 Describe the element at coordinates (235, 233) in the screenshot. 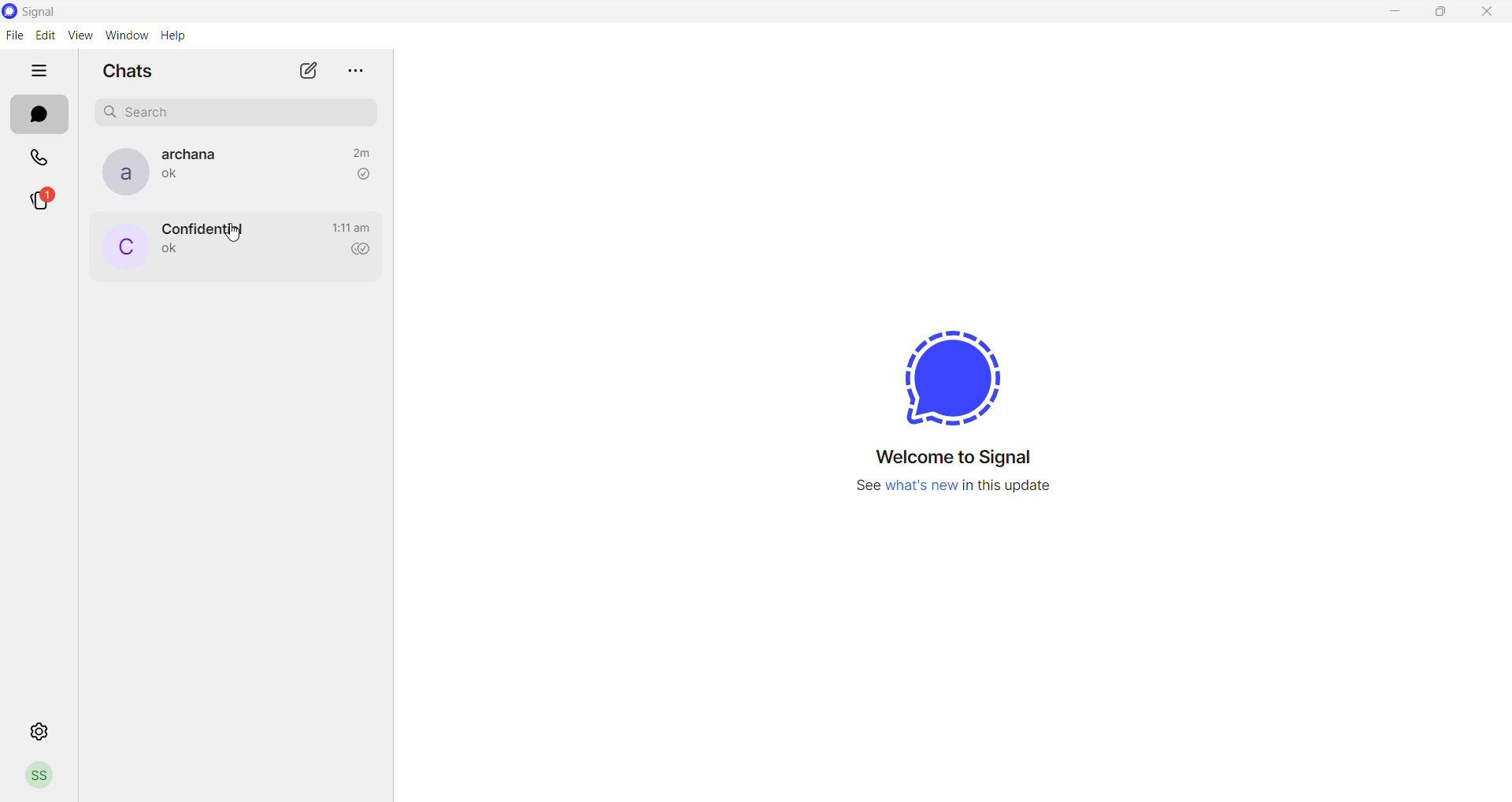

I see `cursor` at that location.